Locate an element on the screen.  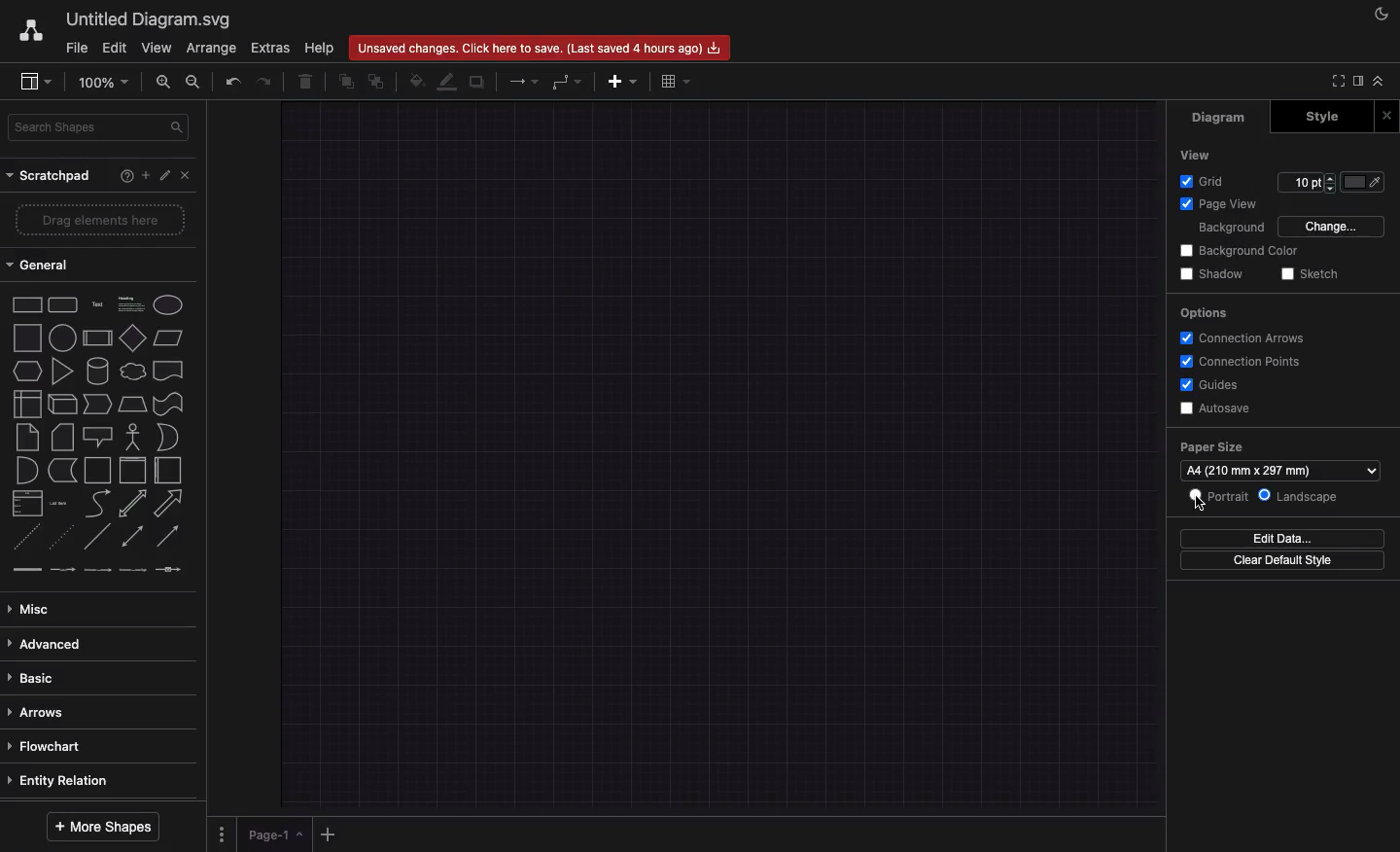
Table is located at coordinates (677, 84).